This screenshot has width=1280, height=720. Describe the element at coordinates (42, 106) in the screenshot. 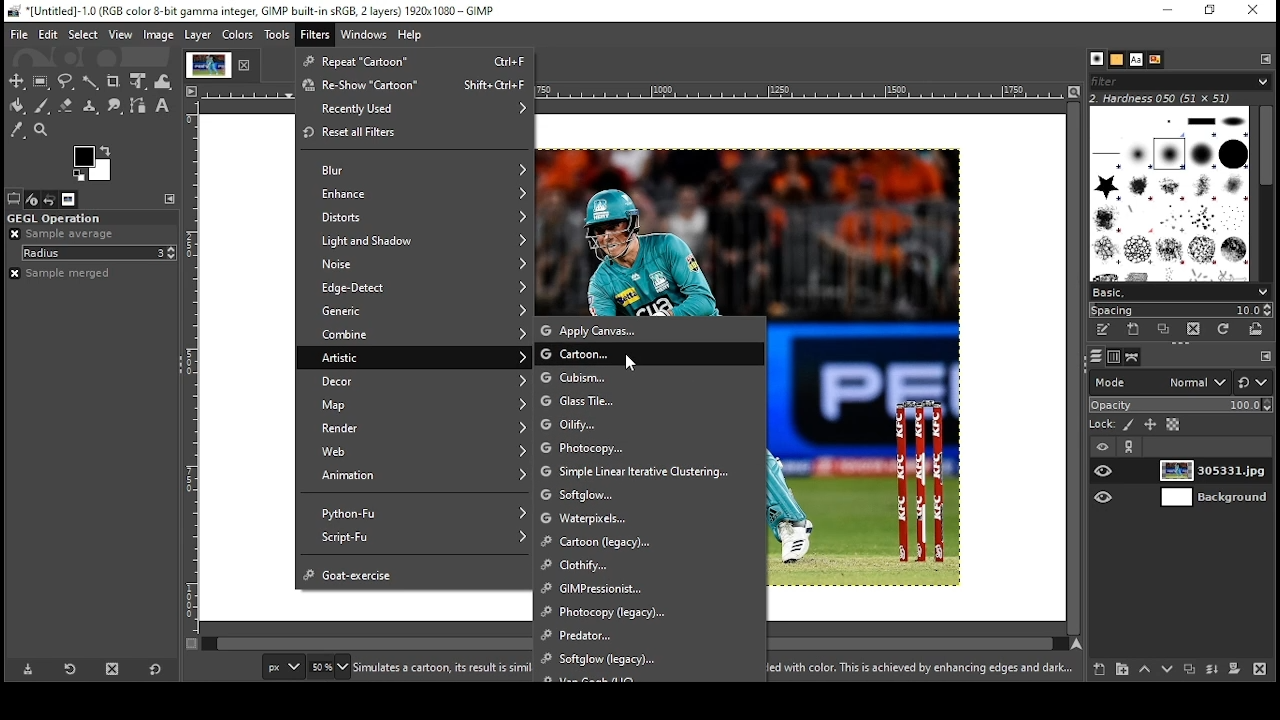

I see `paintbrush tool` at that location.